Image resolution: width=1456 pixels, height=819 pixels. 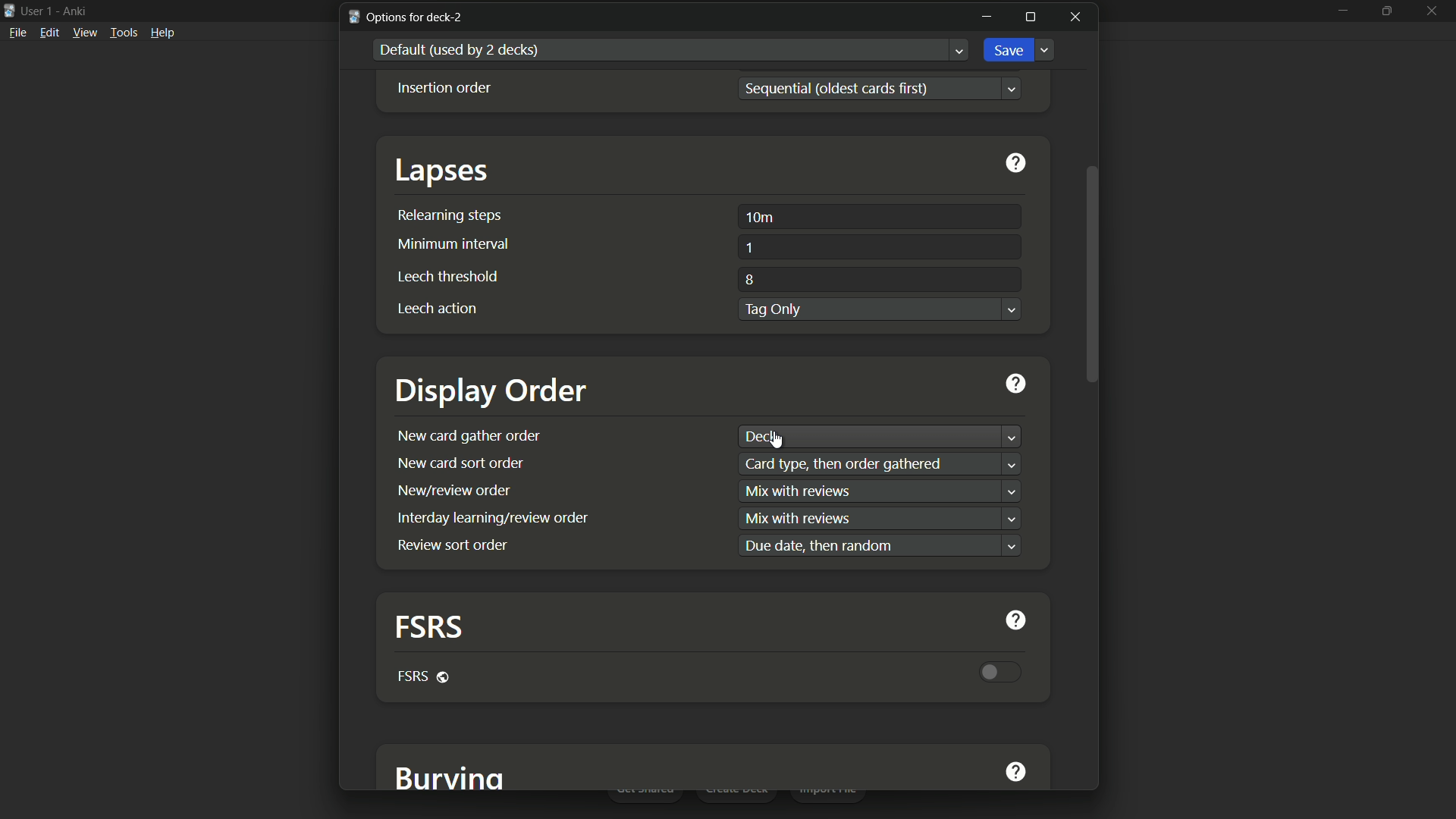 I want to click on tag only, so click(x=774, y=309).